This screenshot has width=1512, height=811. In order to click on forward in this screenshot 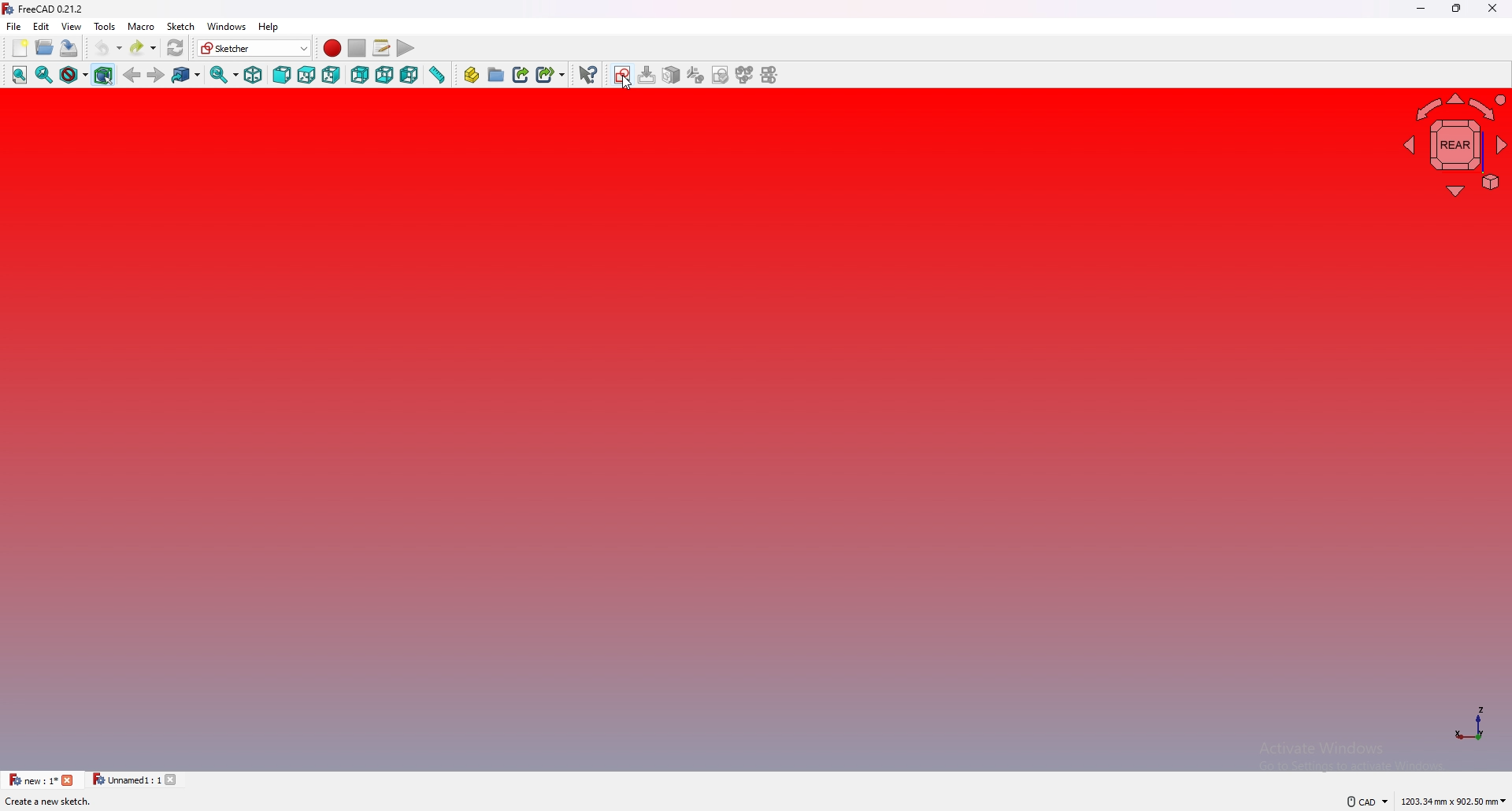, I will do `click(157, 74)`.